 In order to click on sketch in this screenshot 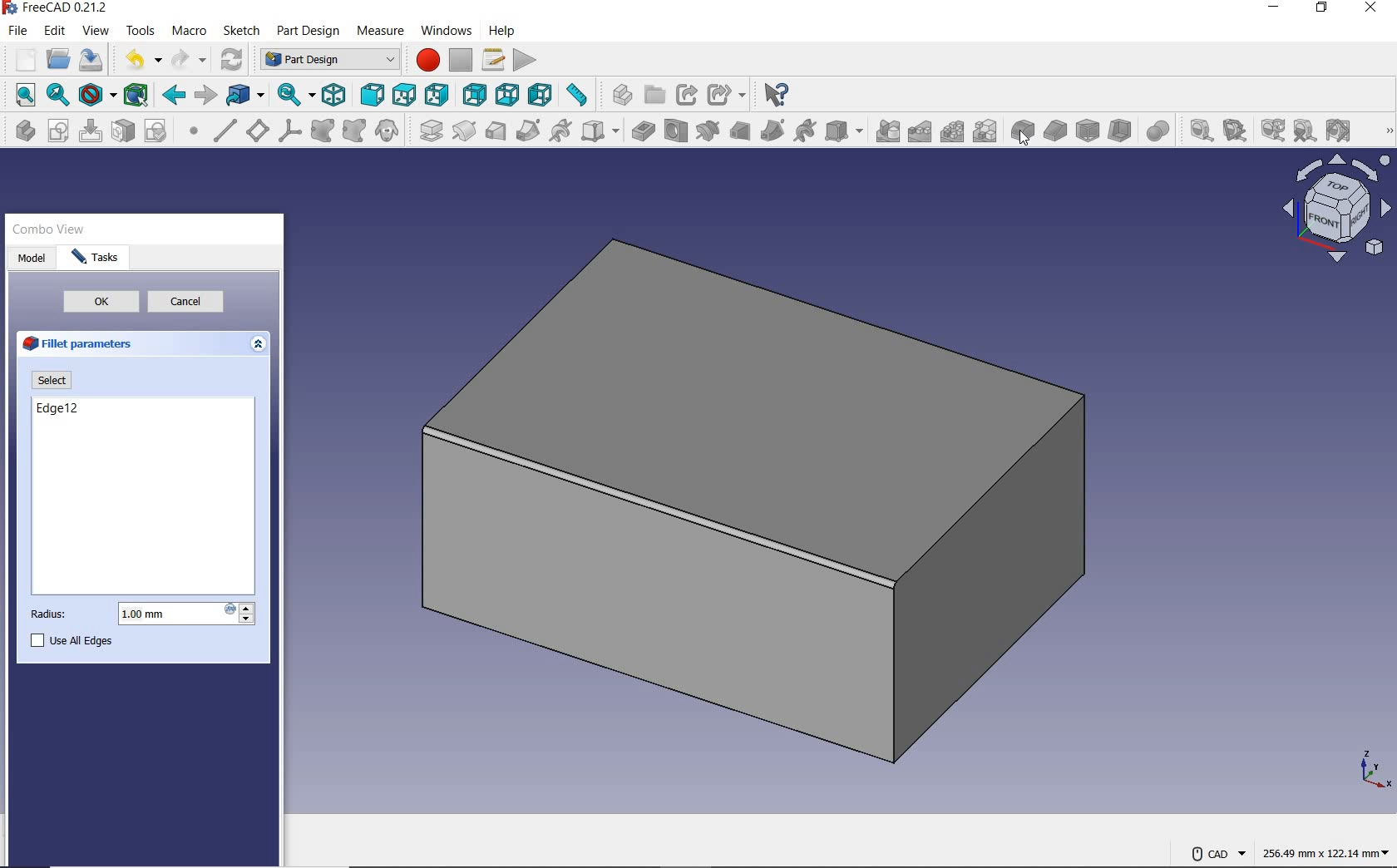, I will do `click(241, 32)`.